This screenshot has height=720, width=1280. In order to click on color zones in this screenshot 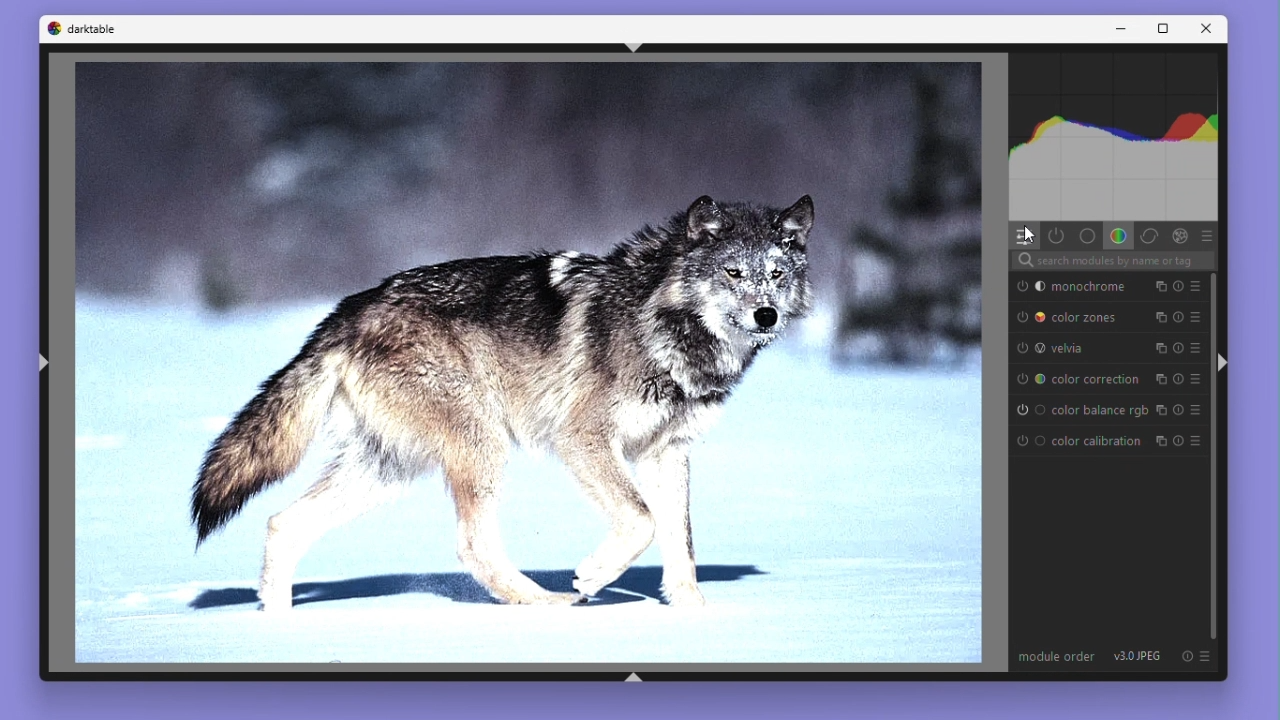, I will do `click(1077, 317)`.